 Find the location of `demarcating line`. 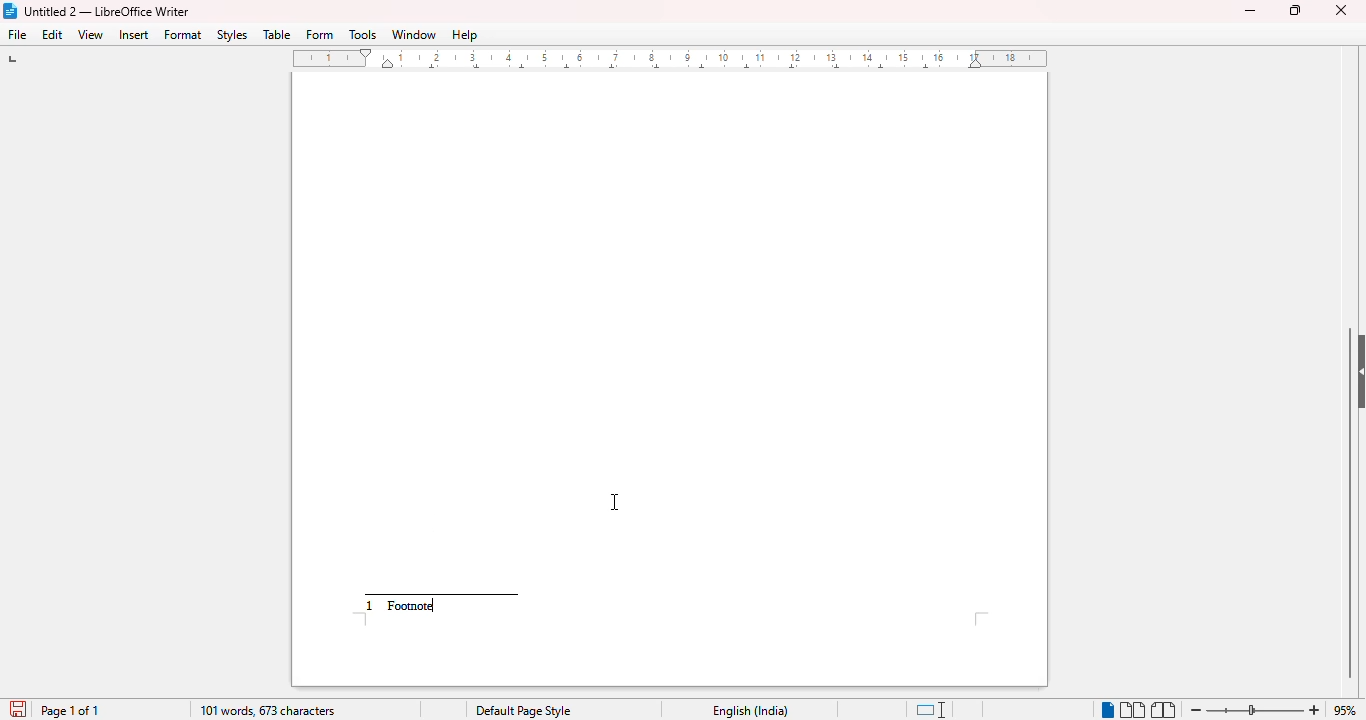

demarcating line is located at coordinates (447, 590).